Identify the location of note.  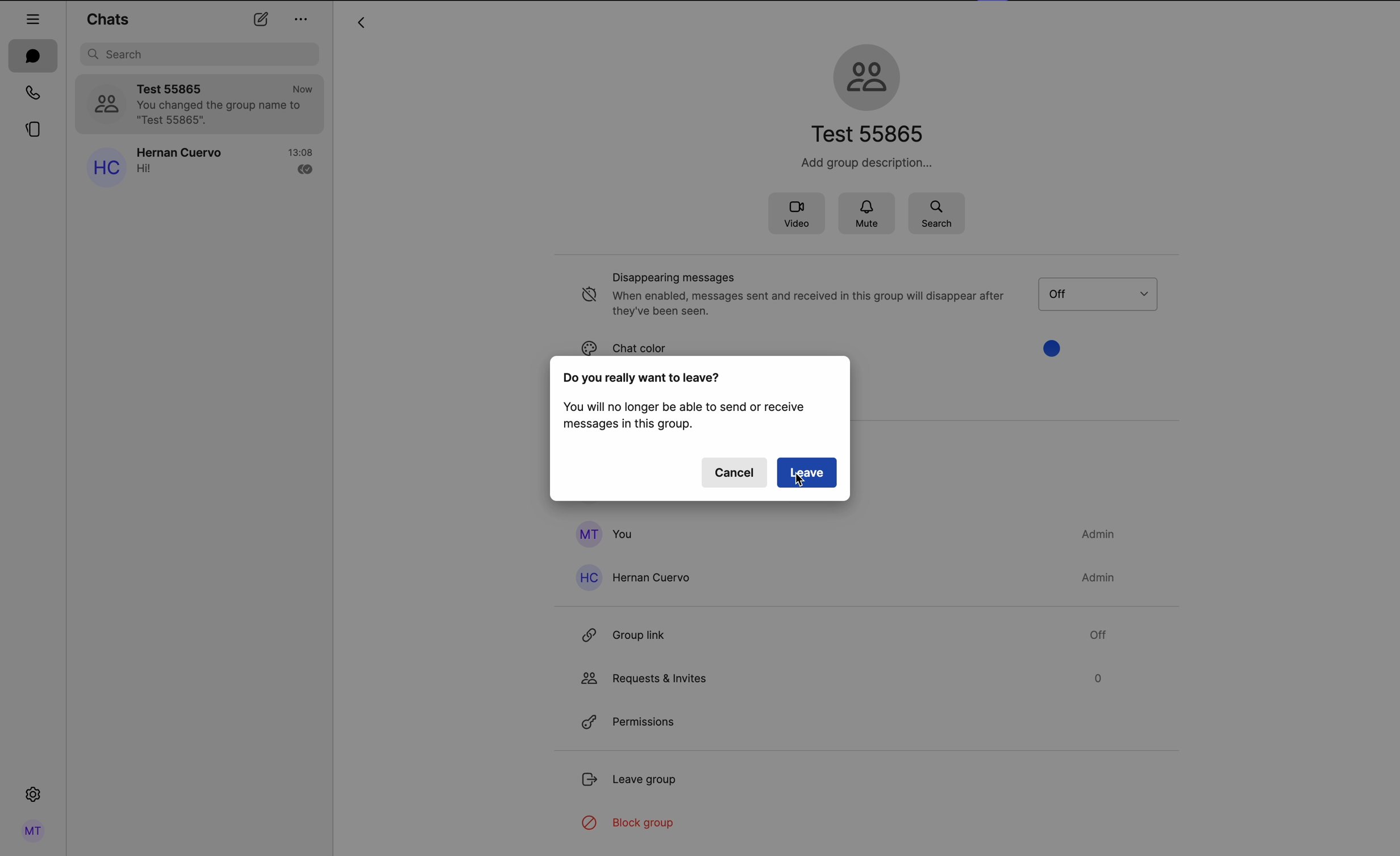
(685, 416).